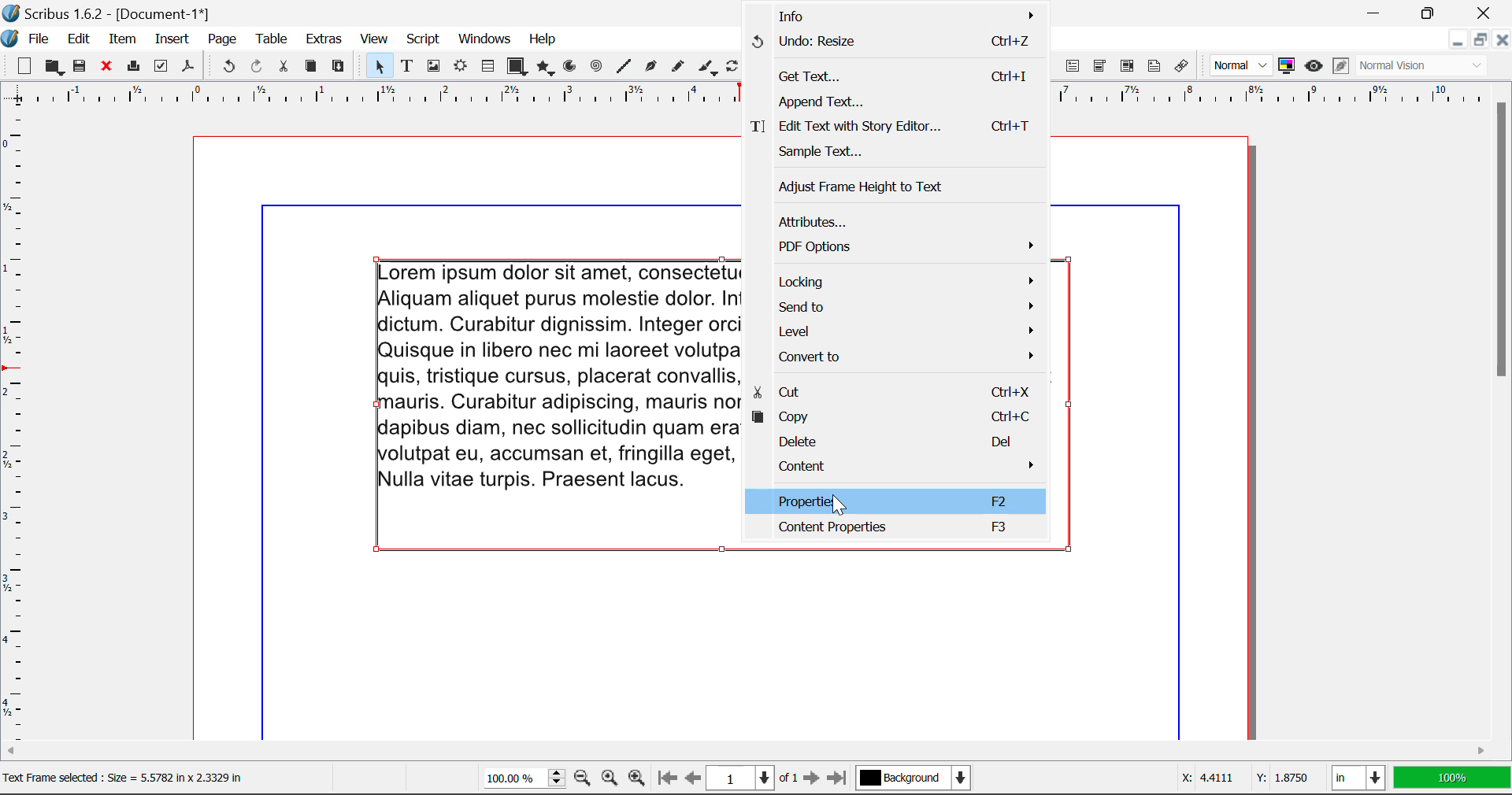  Describe the element at coordinates (24, 68) in the screenshot. I see `New` at that location.